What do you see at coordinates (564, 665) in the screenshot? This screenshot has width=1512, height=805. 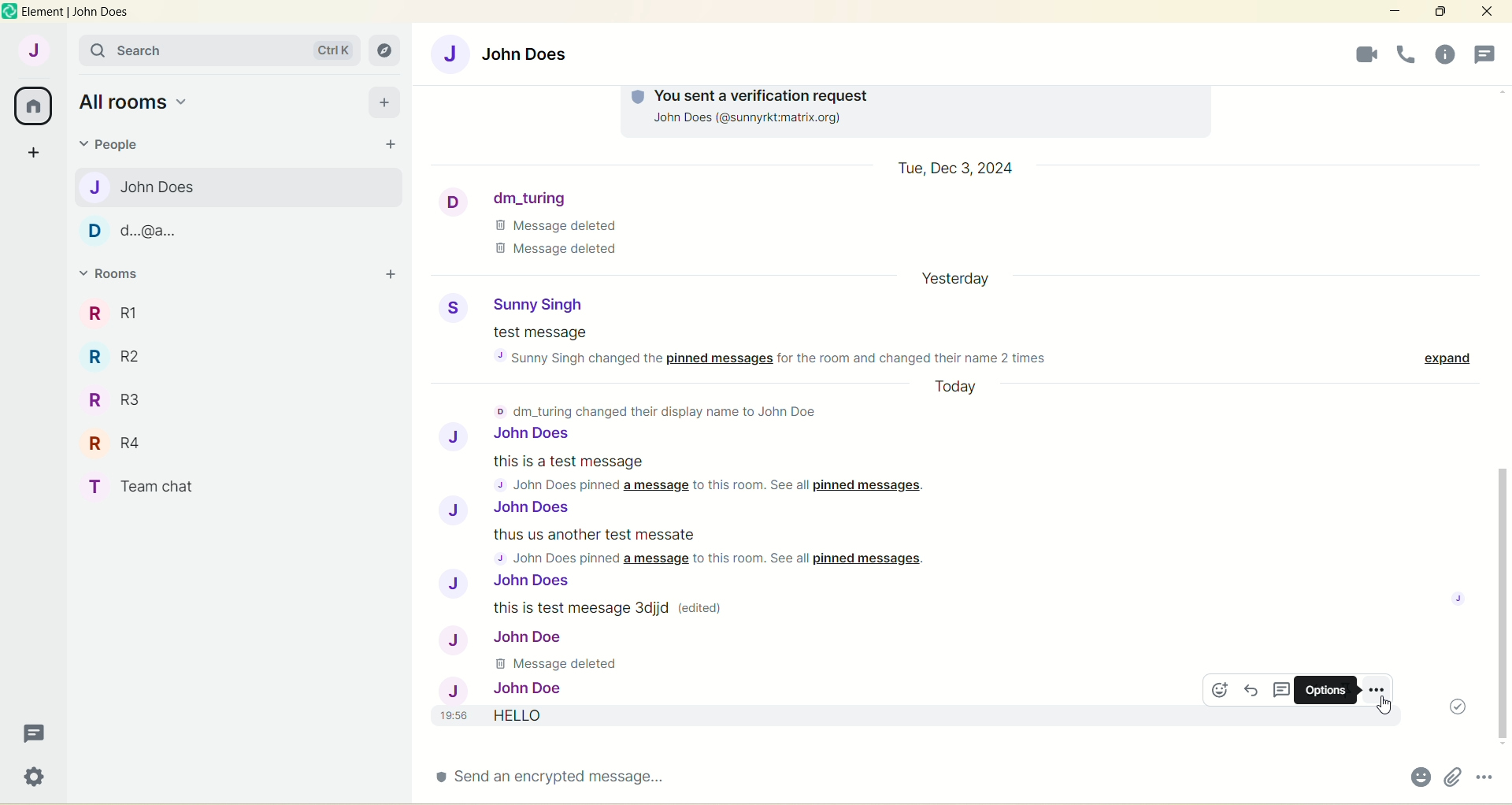 I see `Message Deleted` at bounding box center [564, 665].